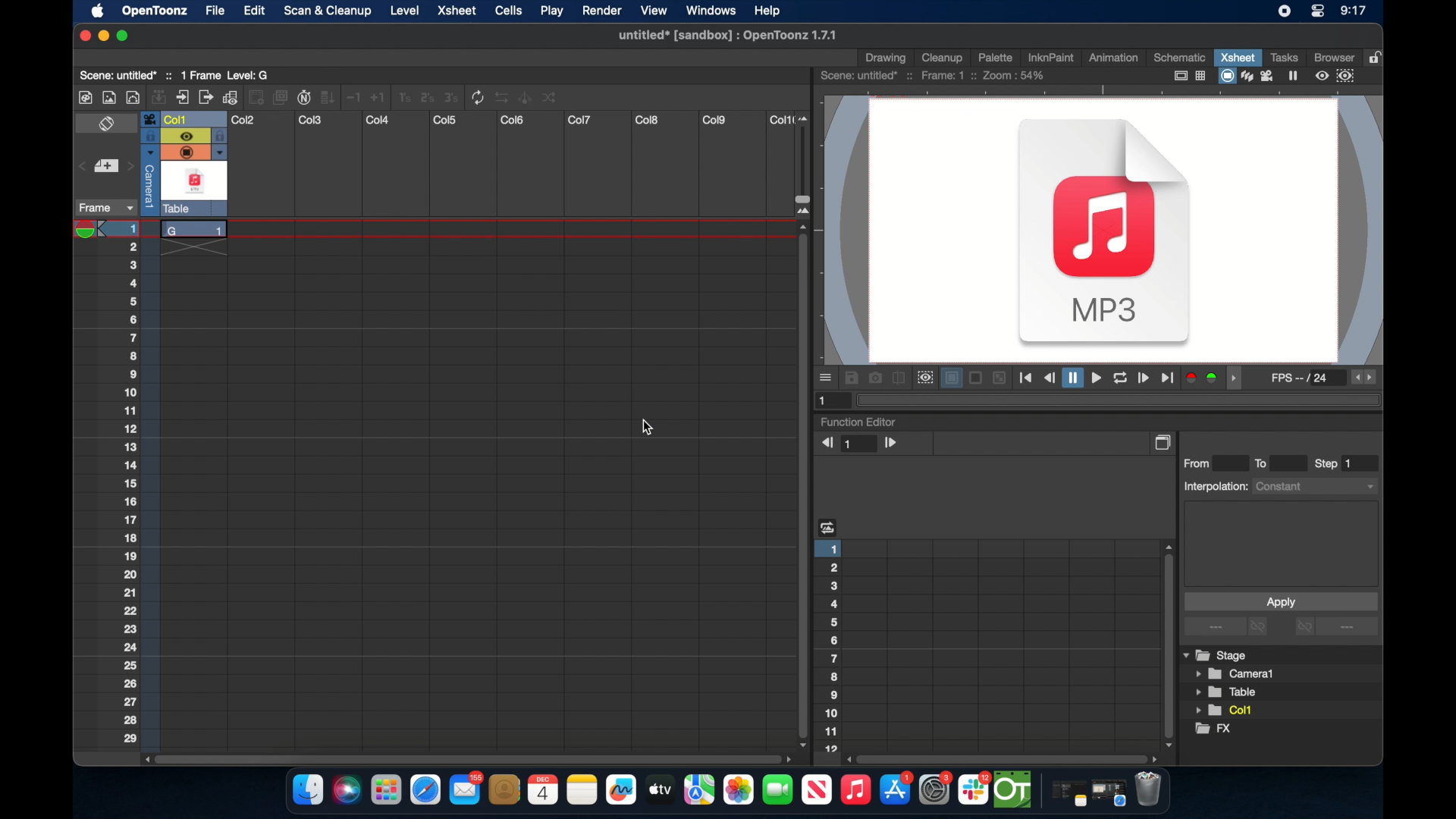 This screenshot has width=1456, height=819. Describe the element at coordinates (659, 789) in the screenshot. I see `apple tv` at that location.